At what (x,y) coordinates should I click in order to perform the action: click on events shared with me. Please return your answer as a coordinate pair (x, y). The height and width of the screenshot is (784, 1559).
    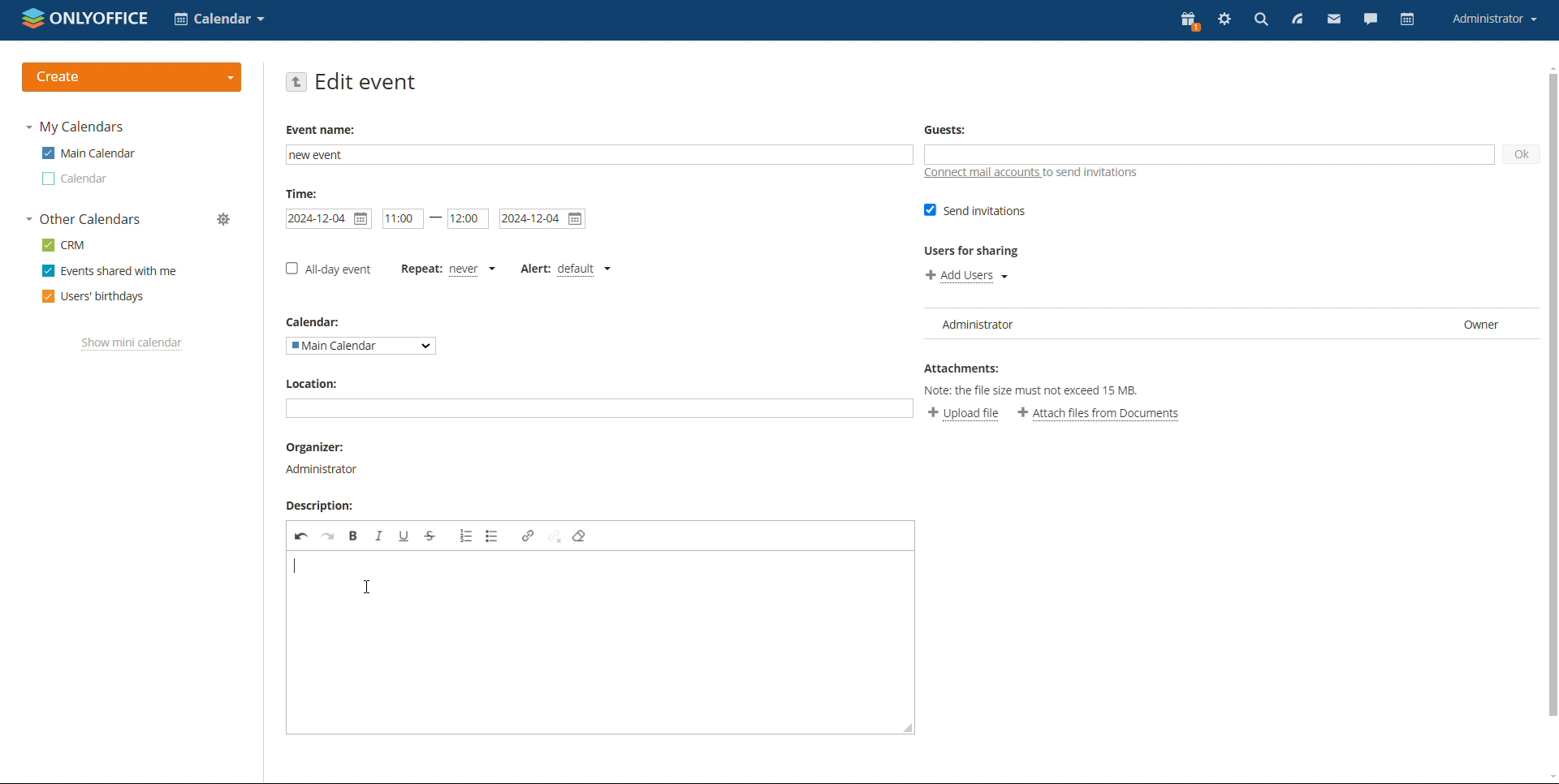
    Looking at the image, I should click on (110, 271).